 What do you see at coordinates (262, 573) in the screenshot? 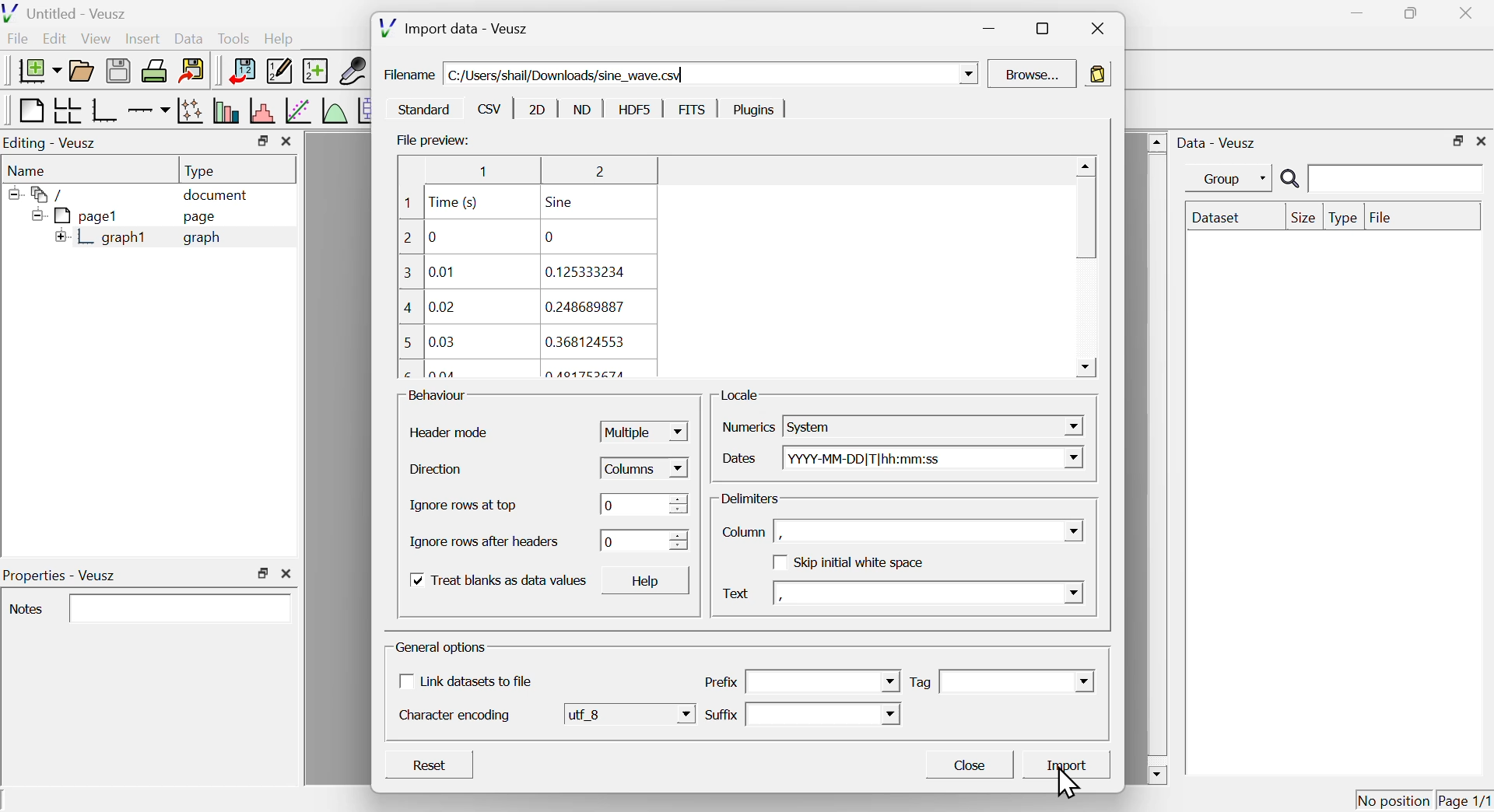
I see `maximize` at bounding box center [262, 573].